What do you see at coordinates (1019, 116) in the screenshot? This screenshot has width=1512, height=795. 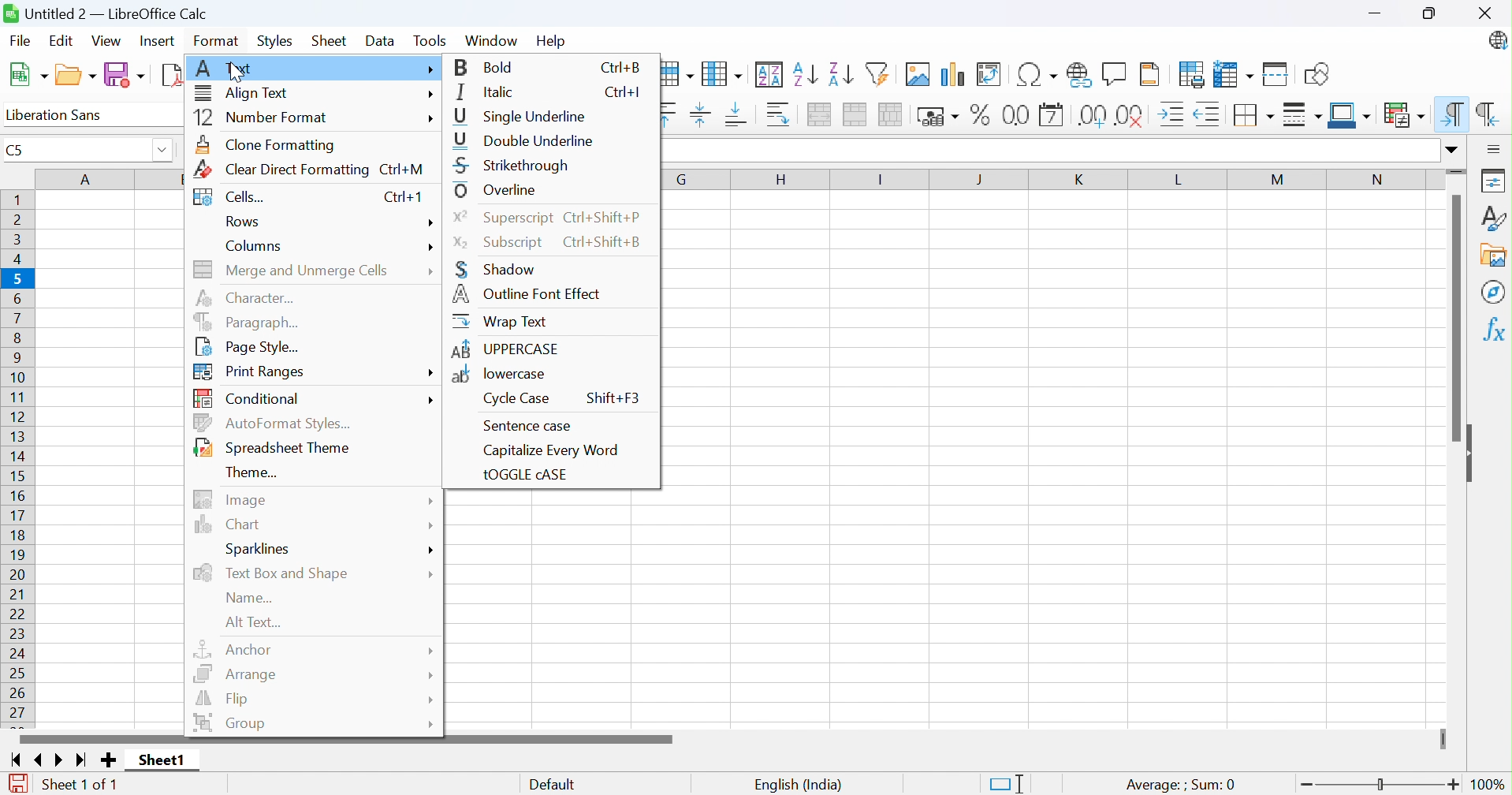 I see `Format as number` at bounding box center [1019, 116].